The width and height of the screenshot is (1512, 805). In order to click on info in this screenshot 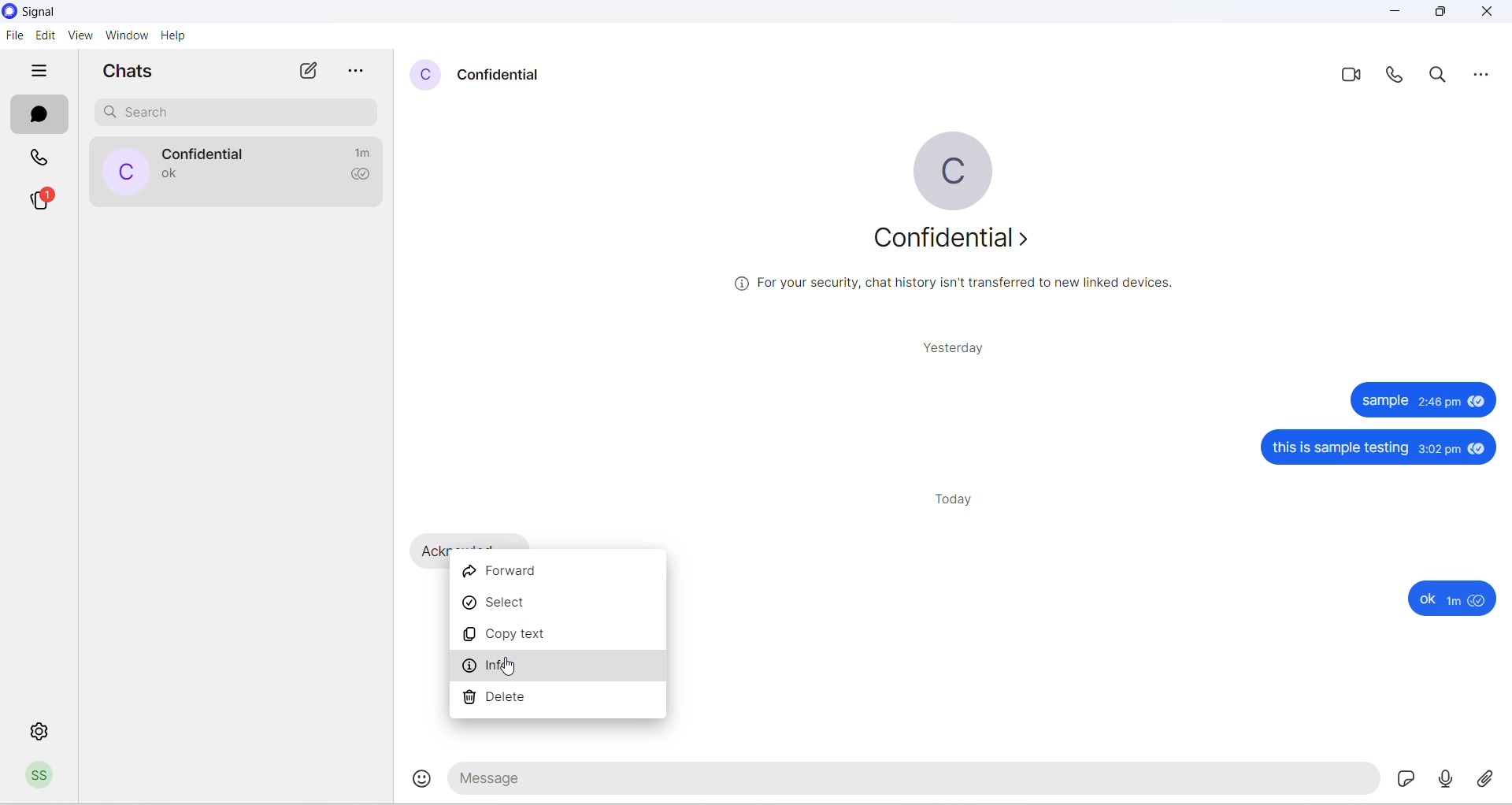, I will do `click(559, 672)`.